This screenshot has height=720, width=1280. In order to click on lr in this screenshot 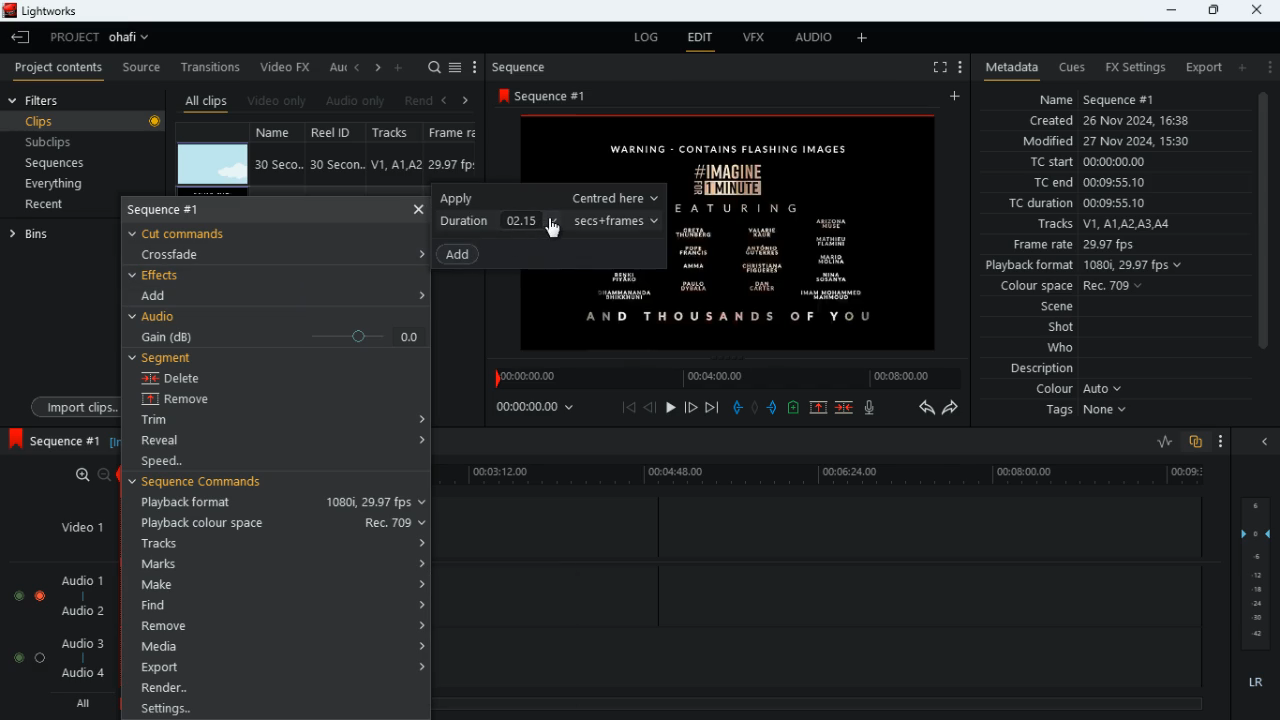, I will do `click(1258, 685)`.